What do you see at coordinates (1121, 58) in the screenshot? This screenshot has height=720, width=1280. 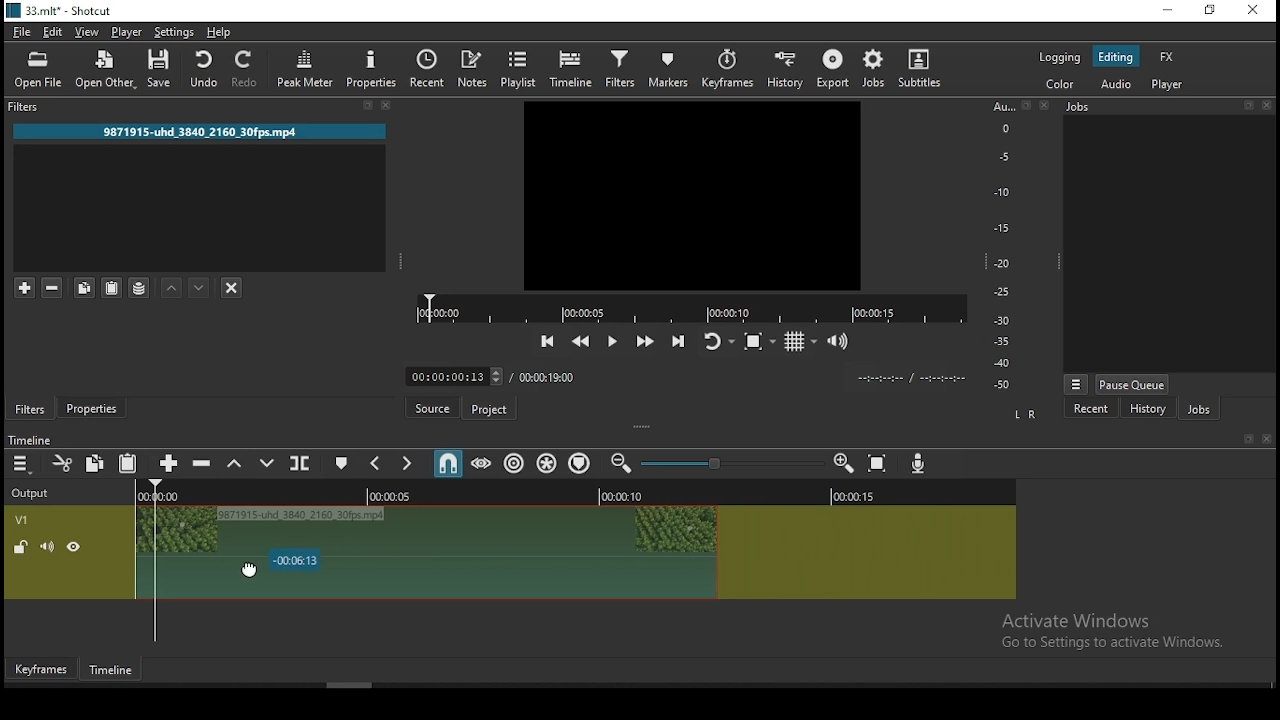 I see `editing` at bounding box center [1121, 58].